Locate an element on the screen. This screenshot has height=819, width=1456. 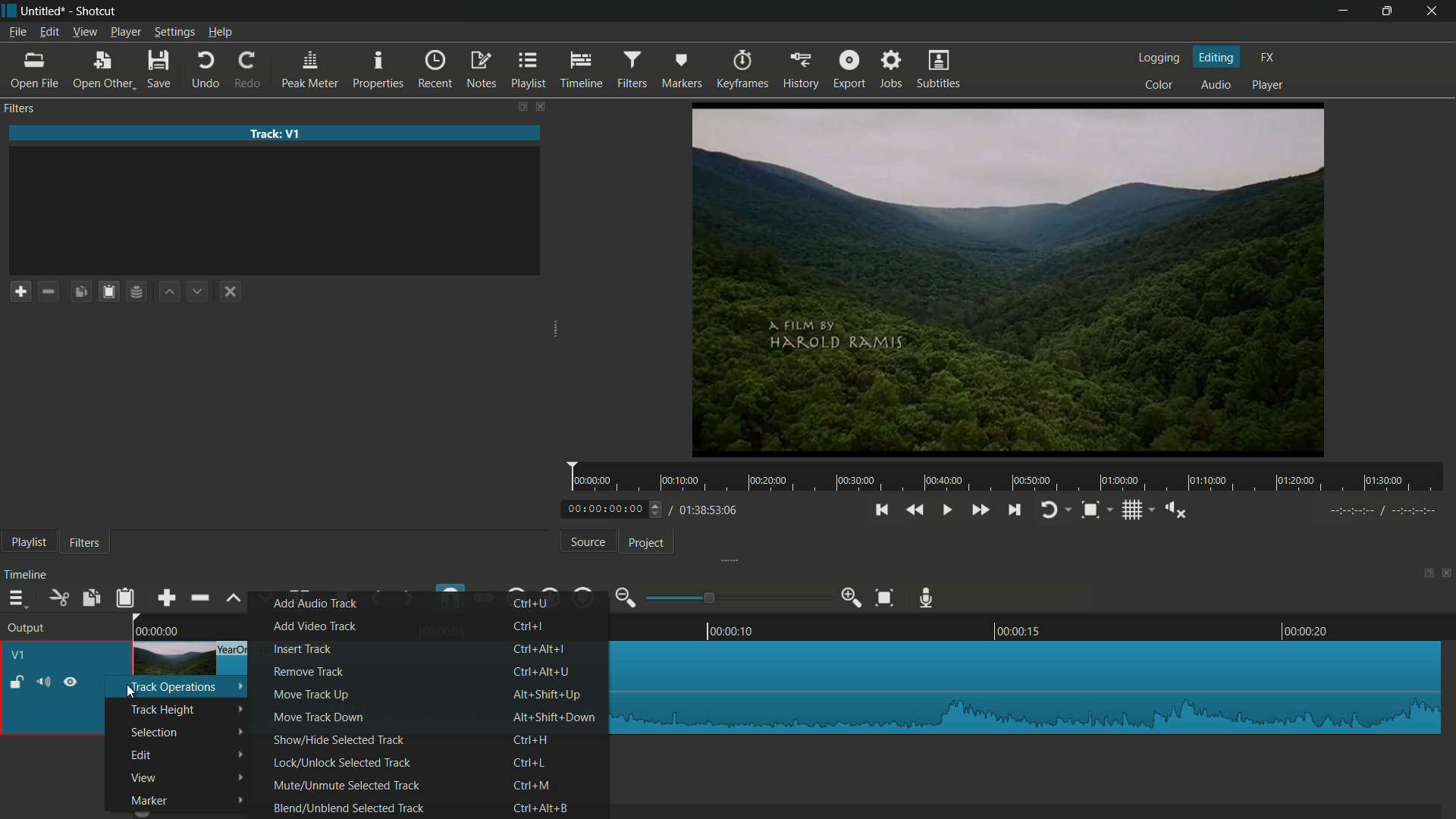
key shortcut is located at coordinates (545, 670).